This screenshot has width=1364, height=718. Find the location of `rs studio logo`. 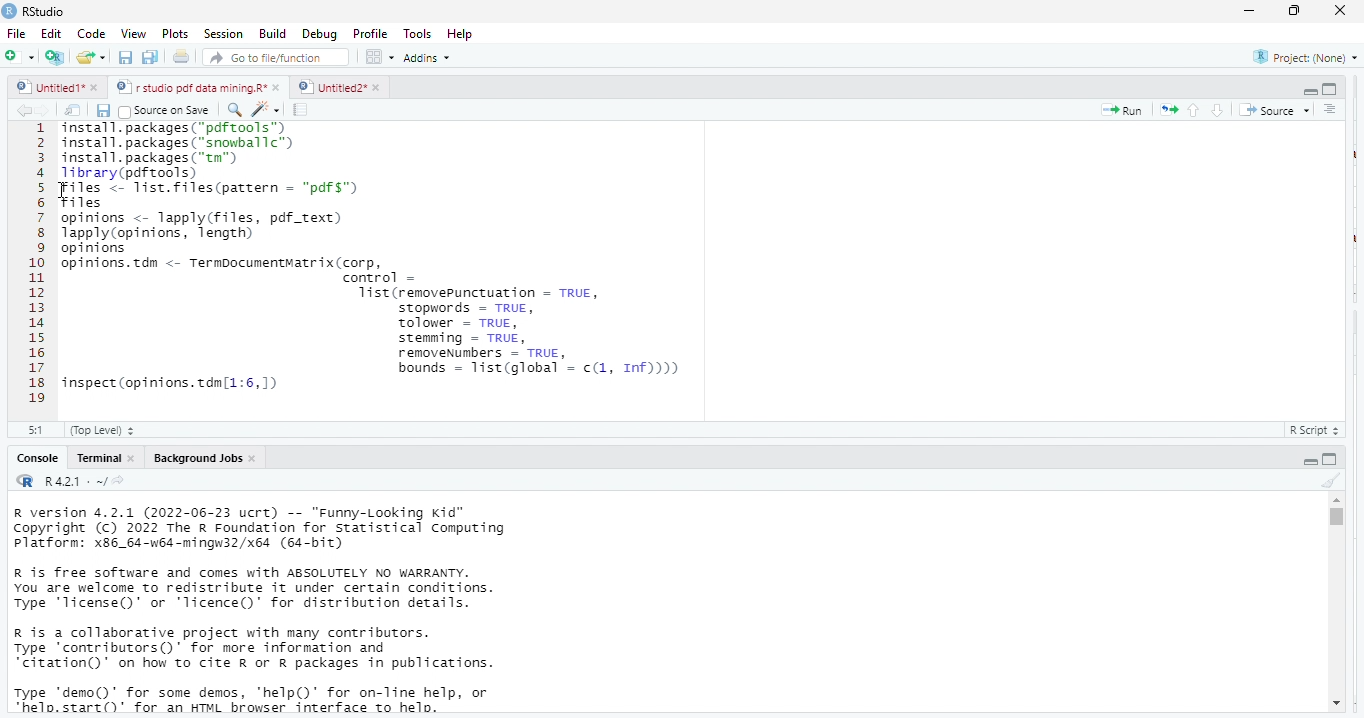

rs studio logo is located at coordinates (9, 10).